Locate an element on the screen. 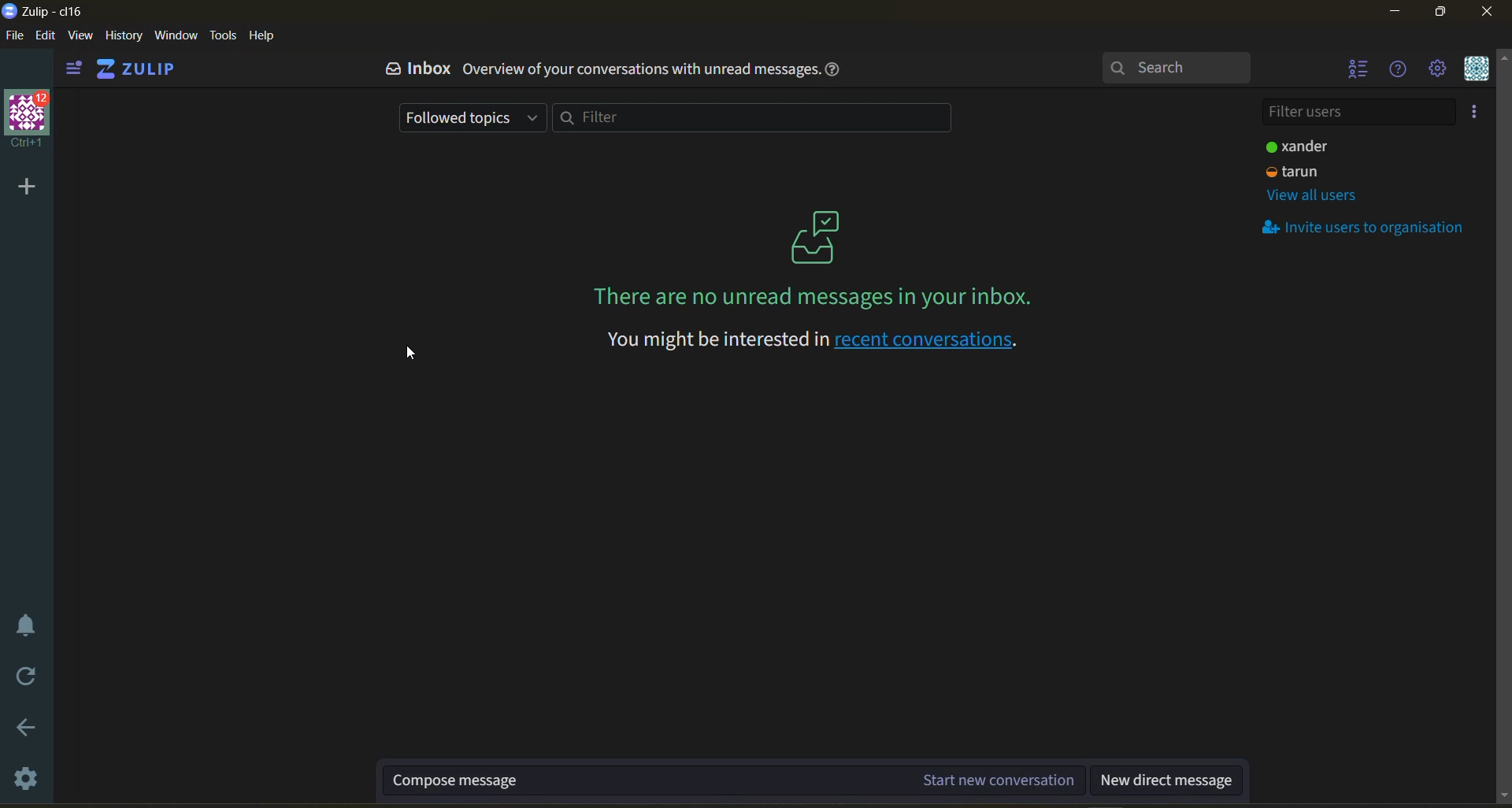 The height and width of the screenshot is (808, 1512). followed topics is located at coordinates (473, 116).